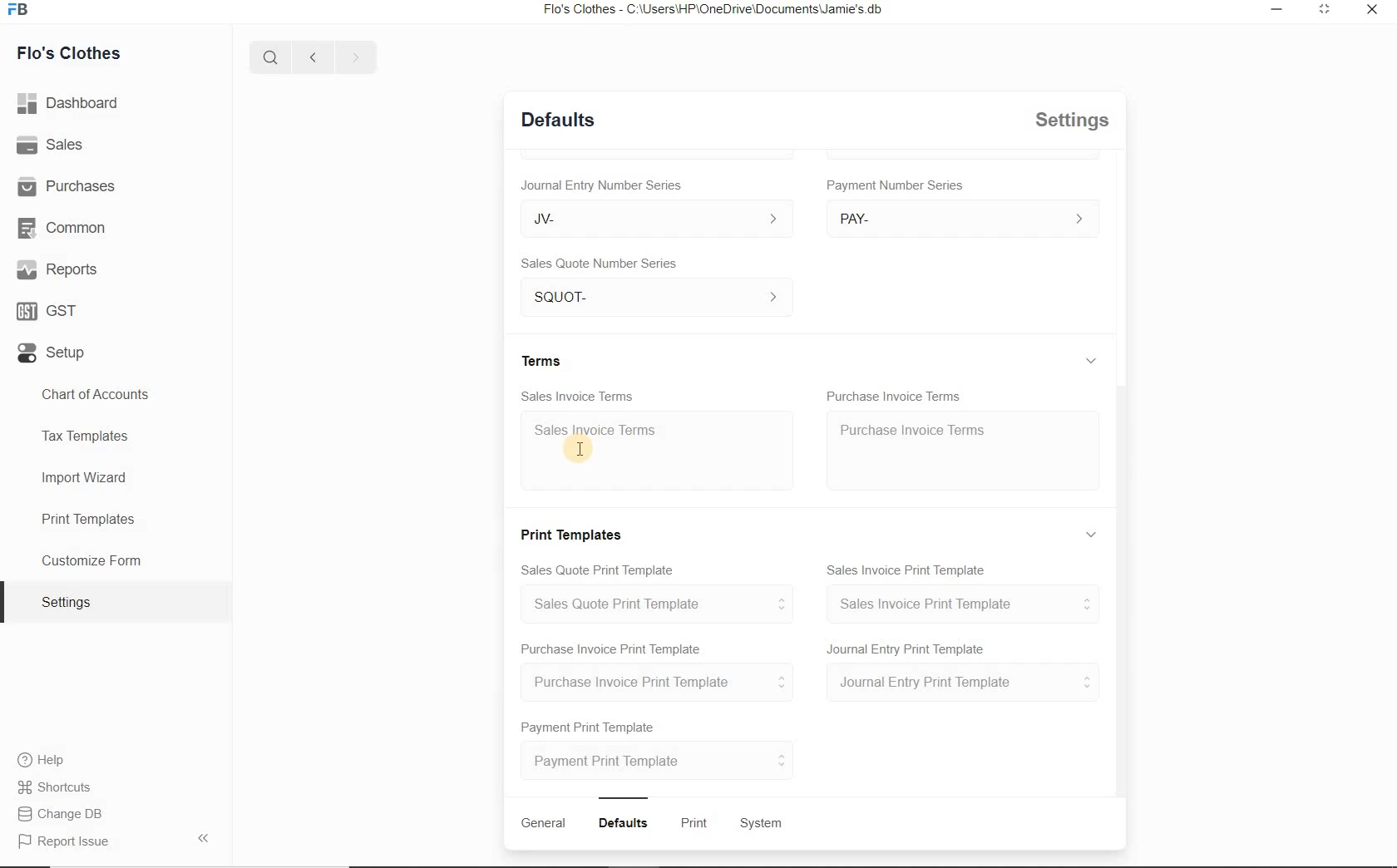 The width and height of the screenshot is (1397, 868). Describe the element at coordinates (1322, 10) in the screenshot. I see `Expand` at that location.